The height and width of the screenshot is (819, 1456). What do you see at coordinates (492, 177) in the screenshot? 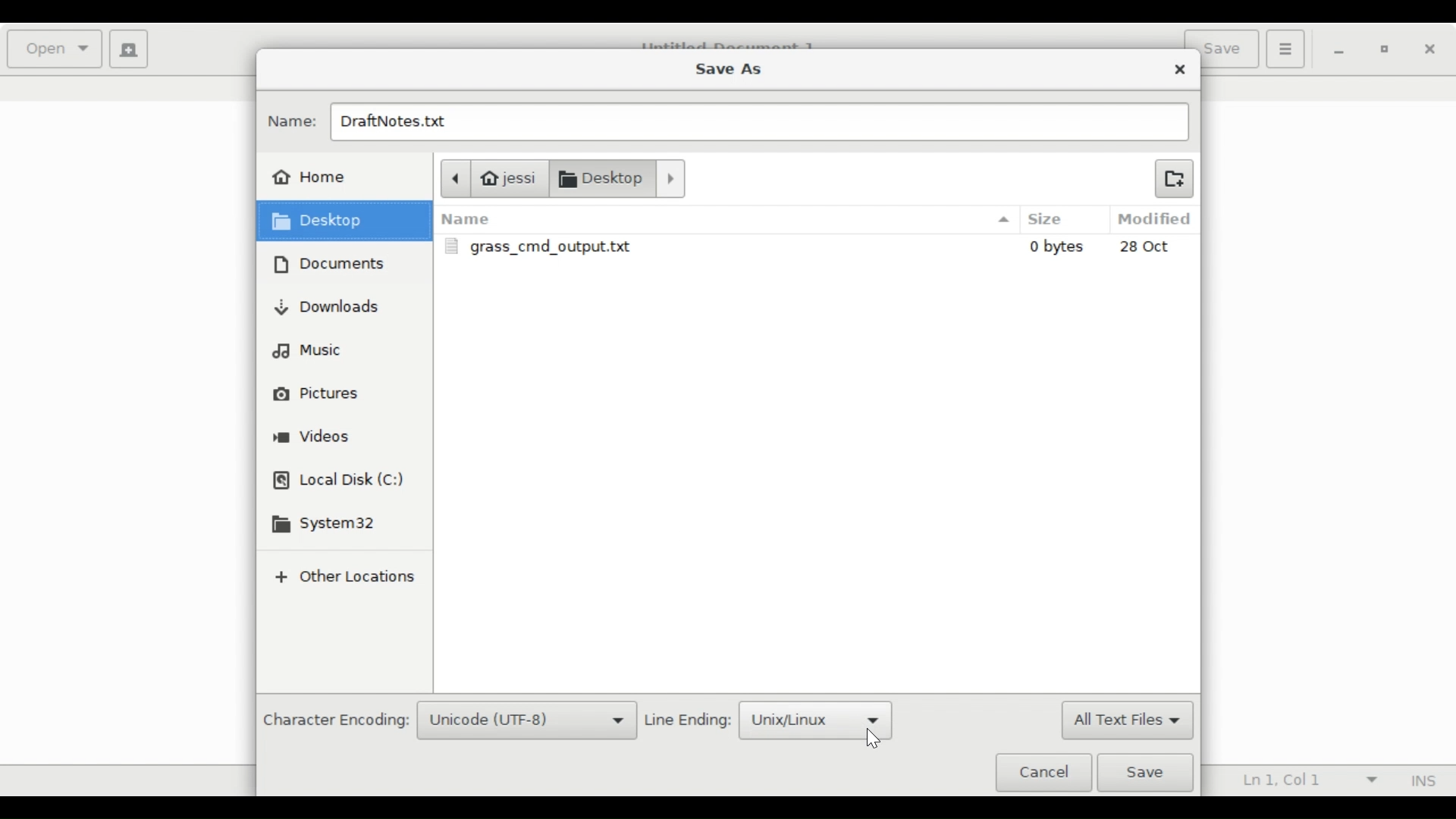
I see `jessi` at bounding box center [492, 177].